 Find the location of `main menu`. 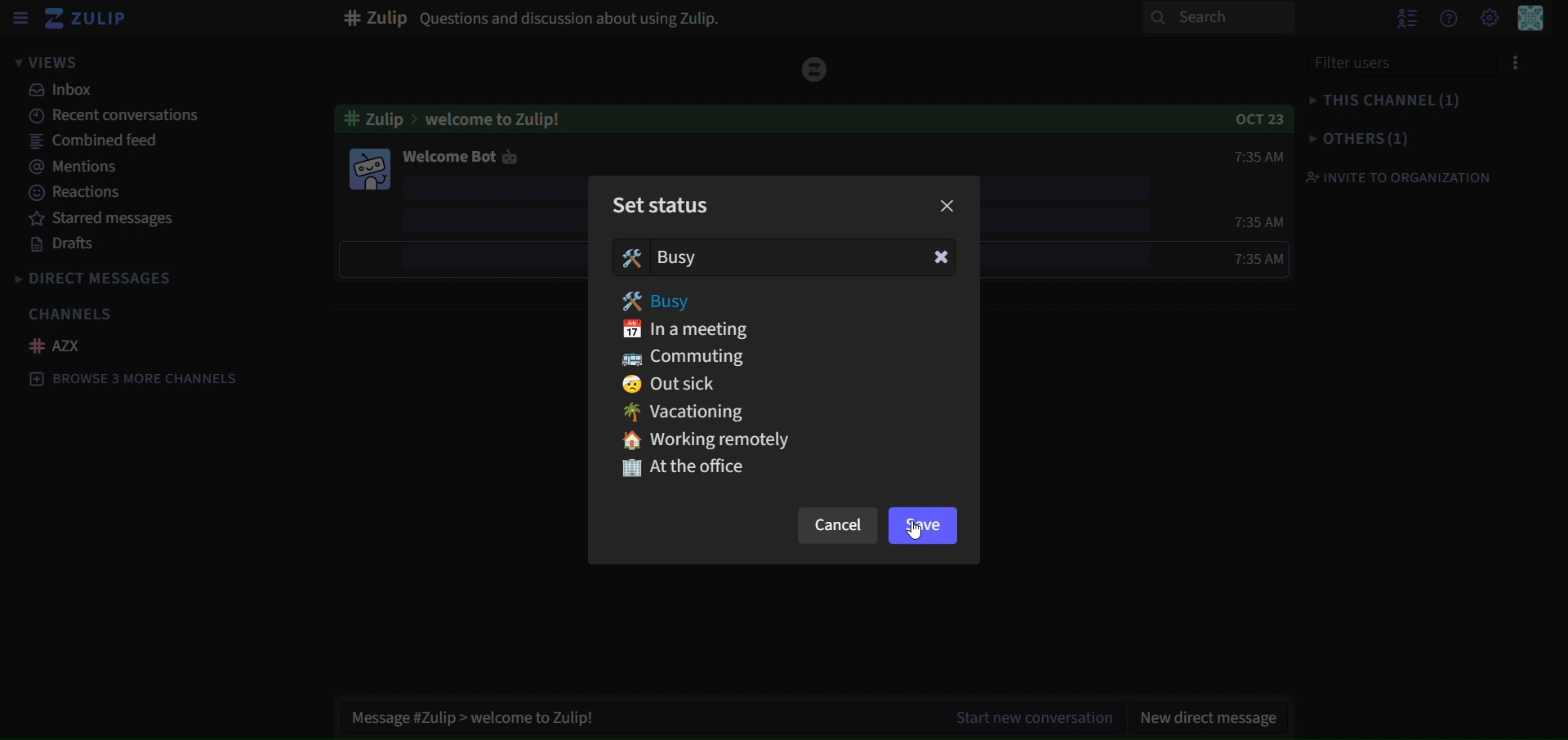

main menu is located at coordinates (1490, 17).